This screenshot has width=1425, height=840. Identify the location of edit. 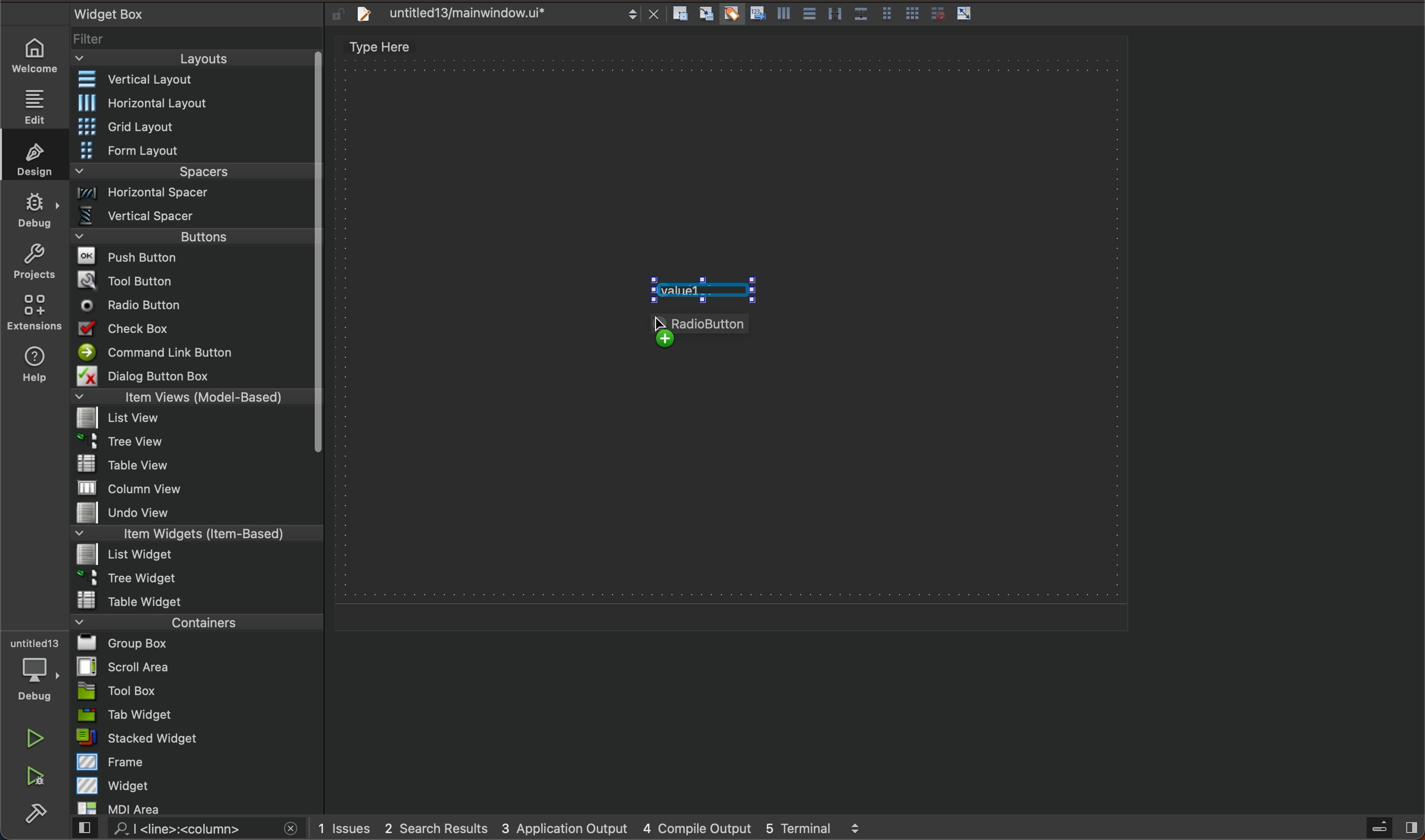
(40, 102).